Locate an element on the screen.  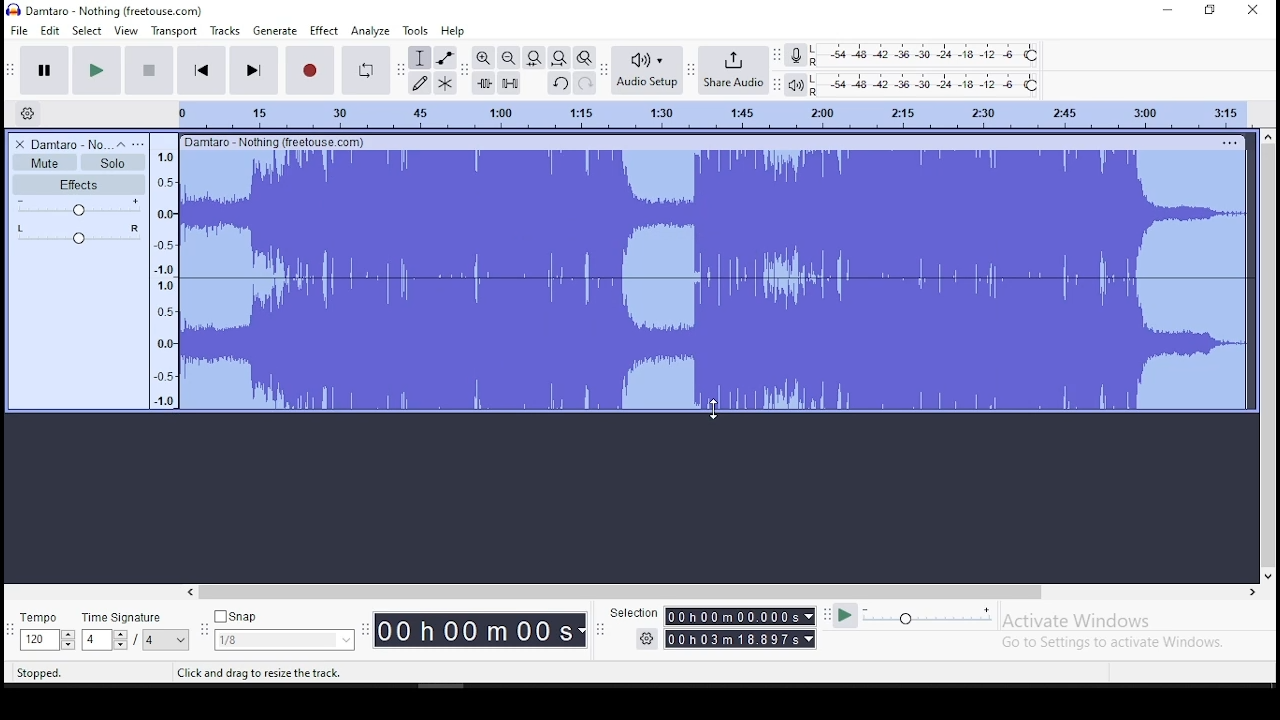
draw tool is located at coordinates (420, 83).